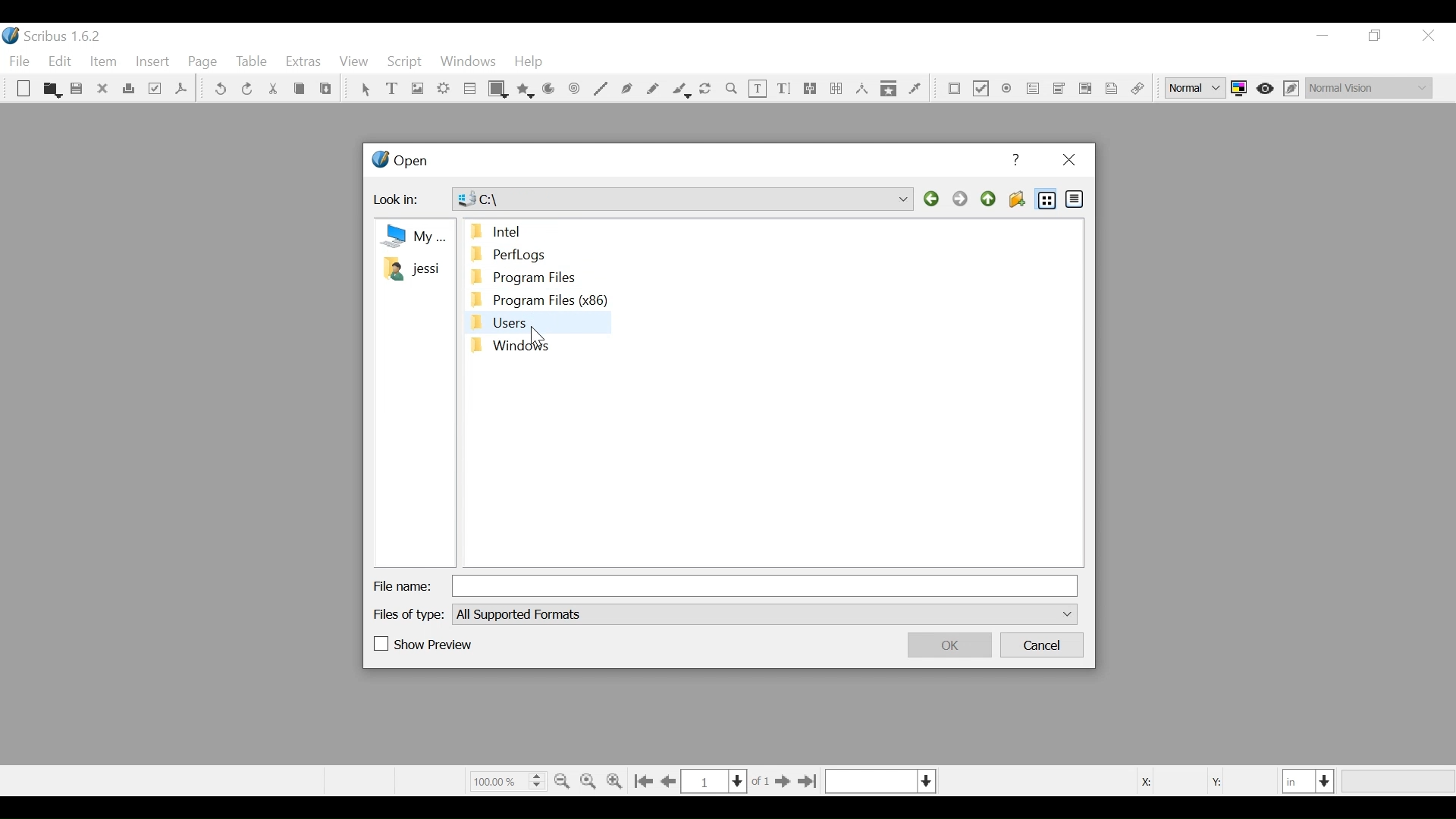 The image size is (1456, 819). What do you see at coordinates (394, 89) in the screenshot?
I see `Text Frame` at bounding box center [394, 89].